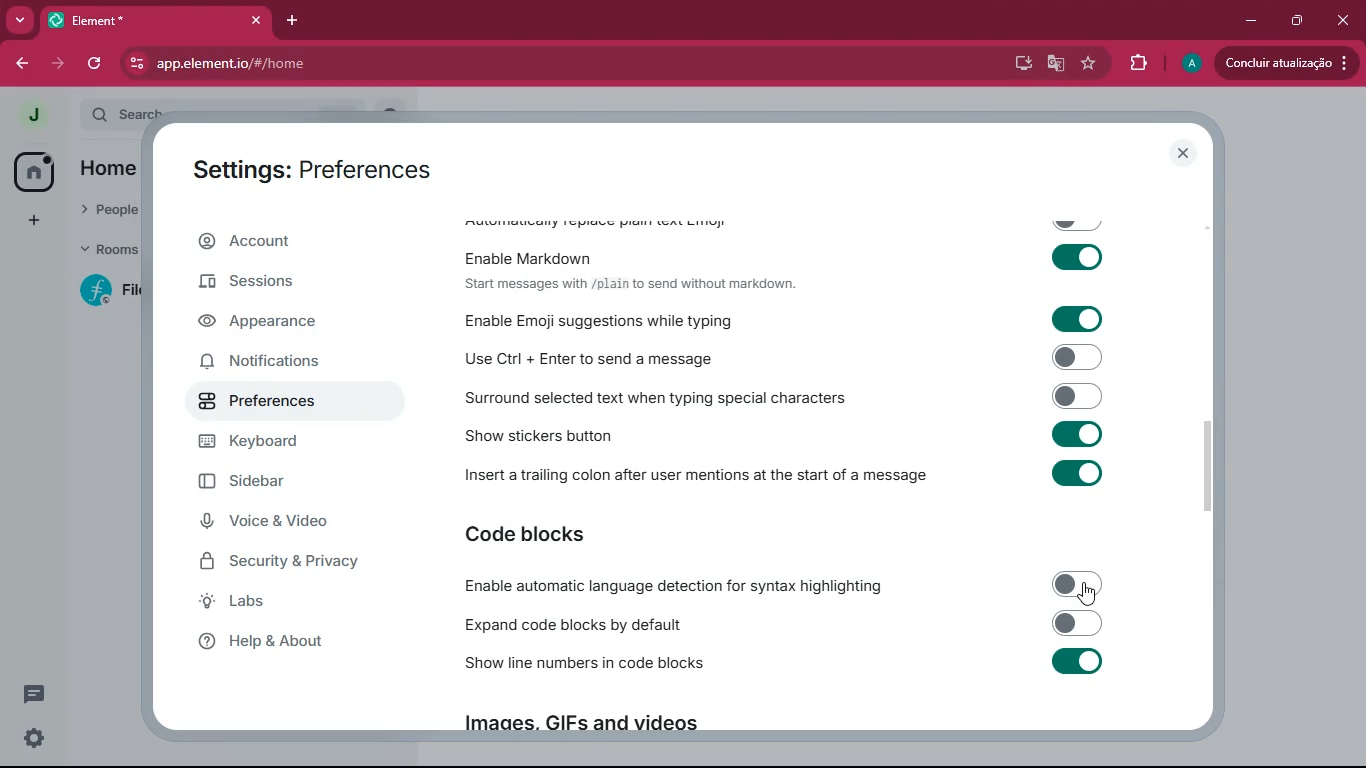 The image size is (1366, 768). Describe the element at coordinates (1057, 64) in the screenshot. I see `translate` at that location.